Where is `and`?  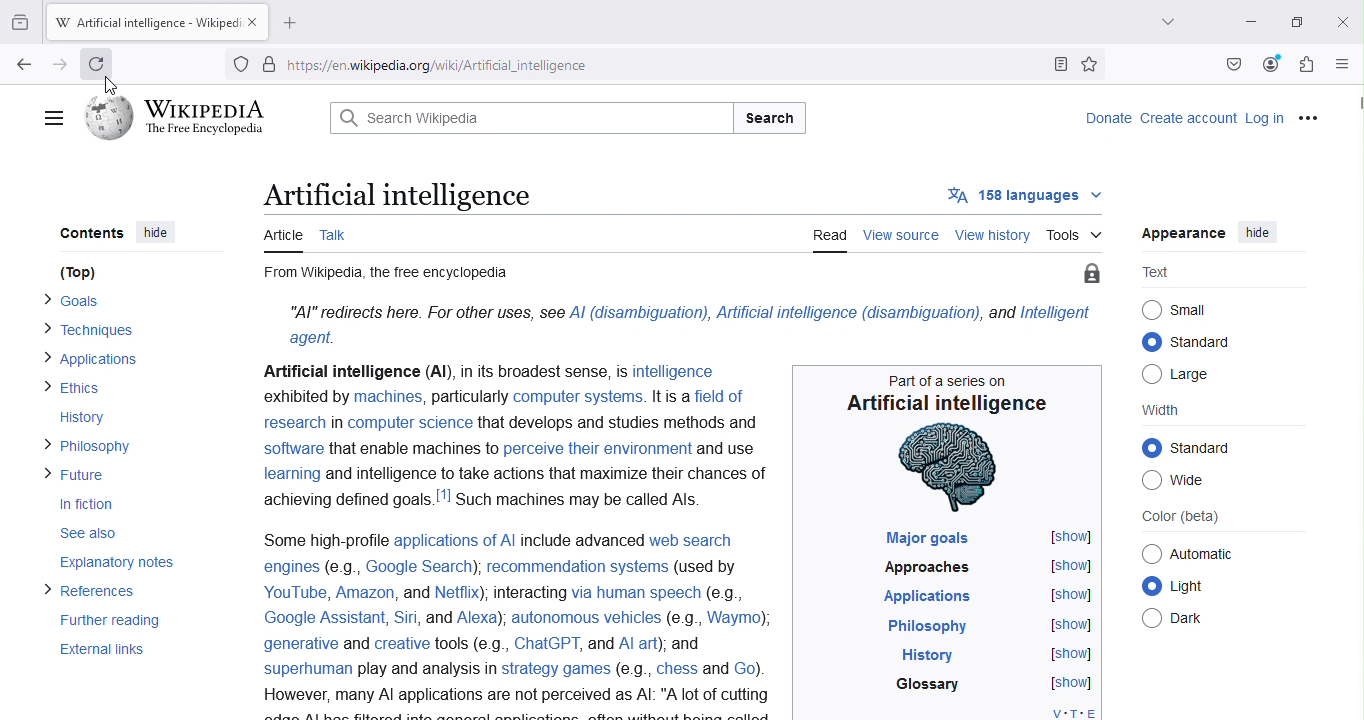
and is located at coordinates (355, 645).